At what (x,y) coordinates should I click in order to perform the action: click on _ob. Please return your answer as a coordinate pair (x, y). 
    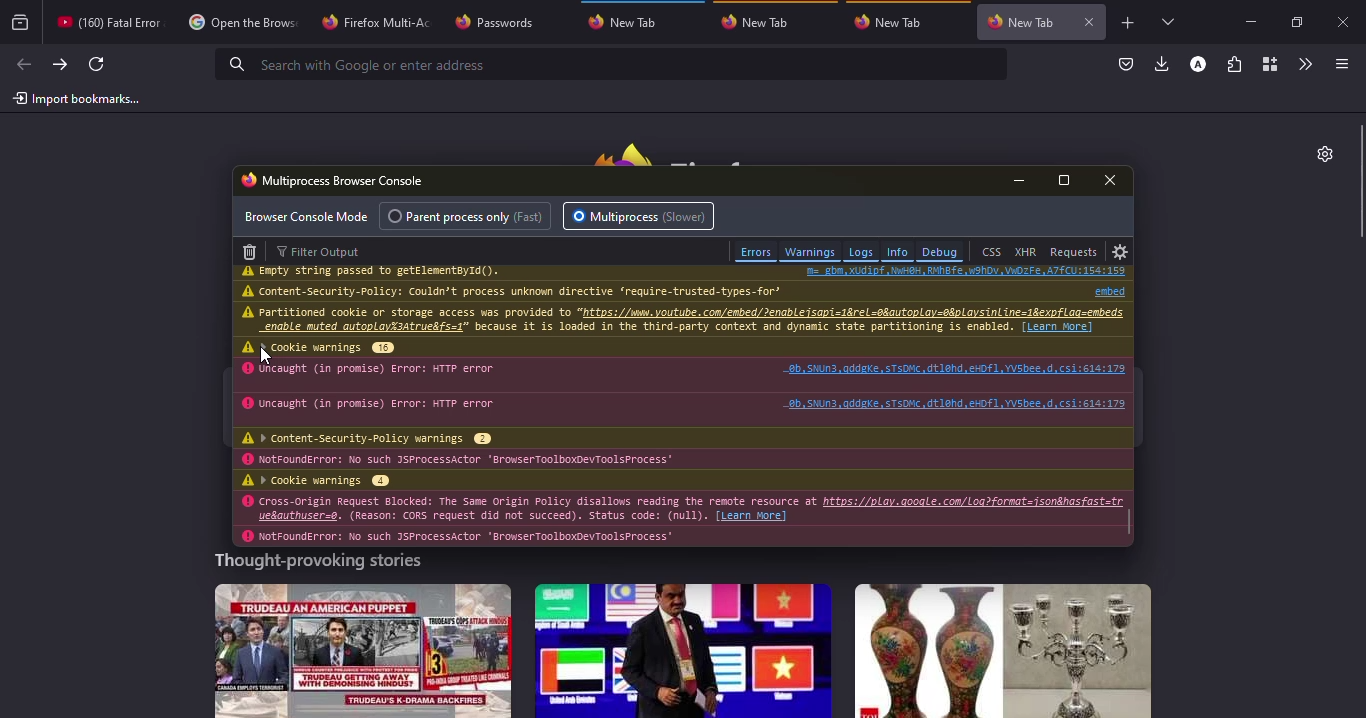
    Looking at the image, I should click on (954, 403).